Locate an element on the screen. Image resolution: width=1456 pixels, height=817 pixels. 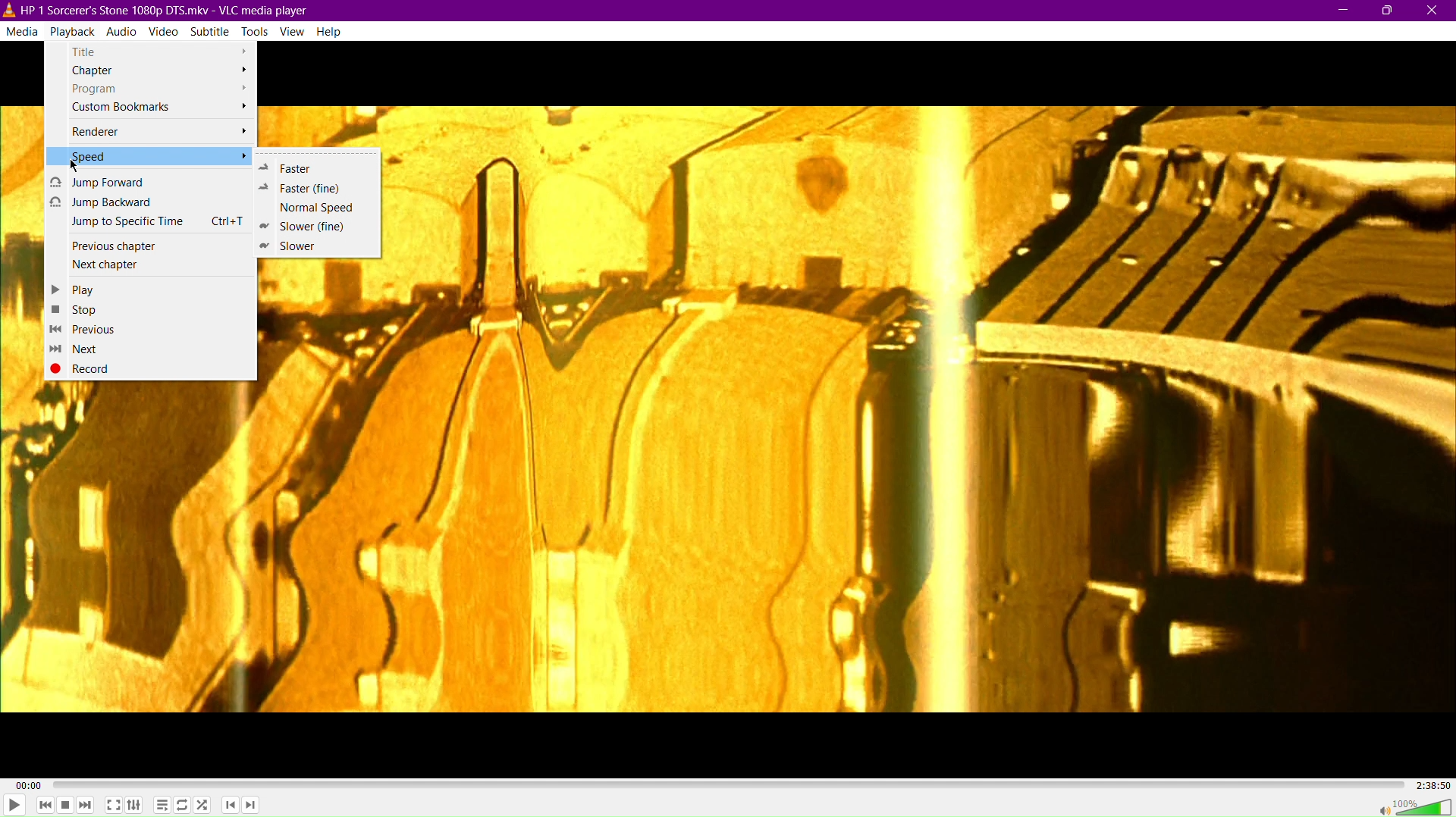
Playback is located at coordinates (72, 30).